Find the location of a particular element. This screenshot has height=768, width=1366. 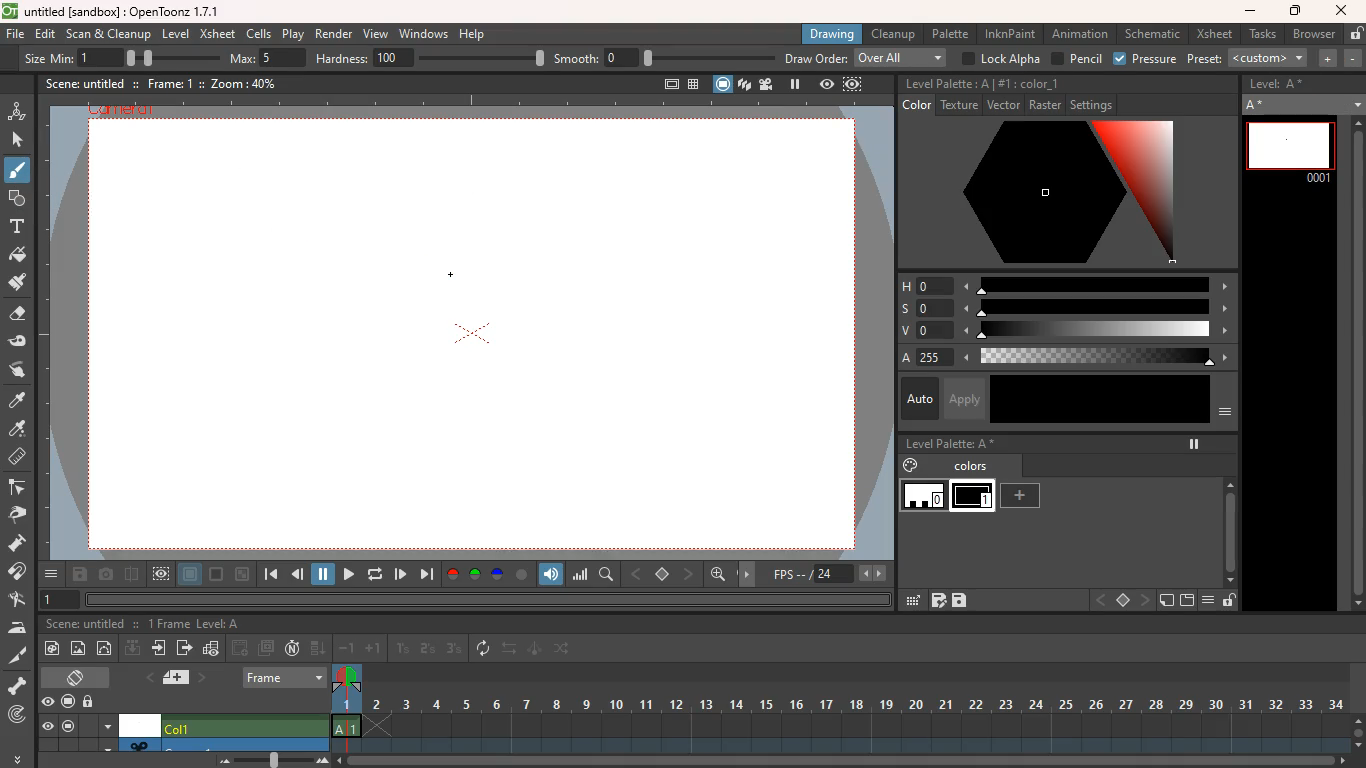

tasks is located at coordinates (1260, 35).